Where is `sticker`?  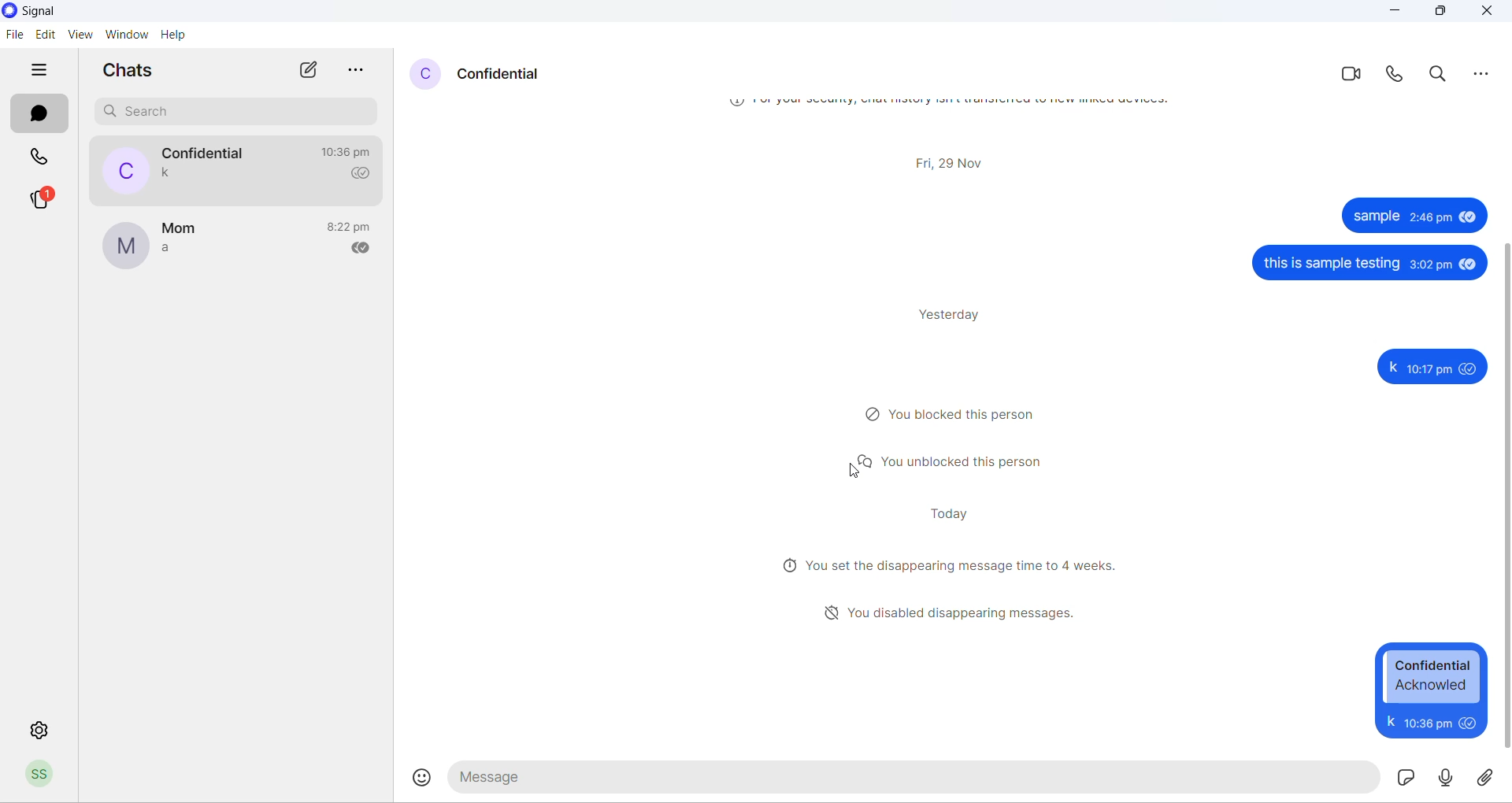
sticker is located at coordinates (1406, 777).